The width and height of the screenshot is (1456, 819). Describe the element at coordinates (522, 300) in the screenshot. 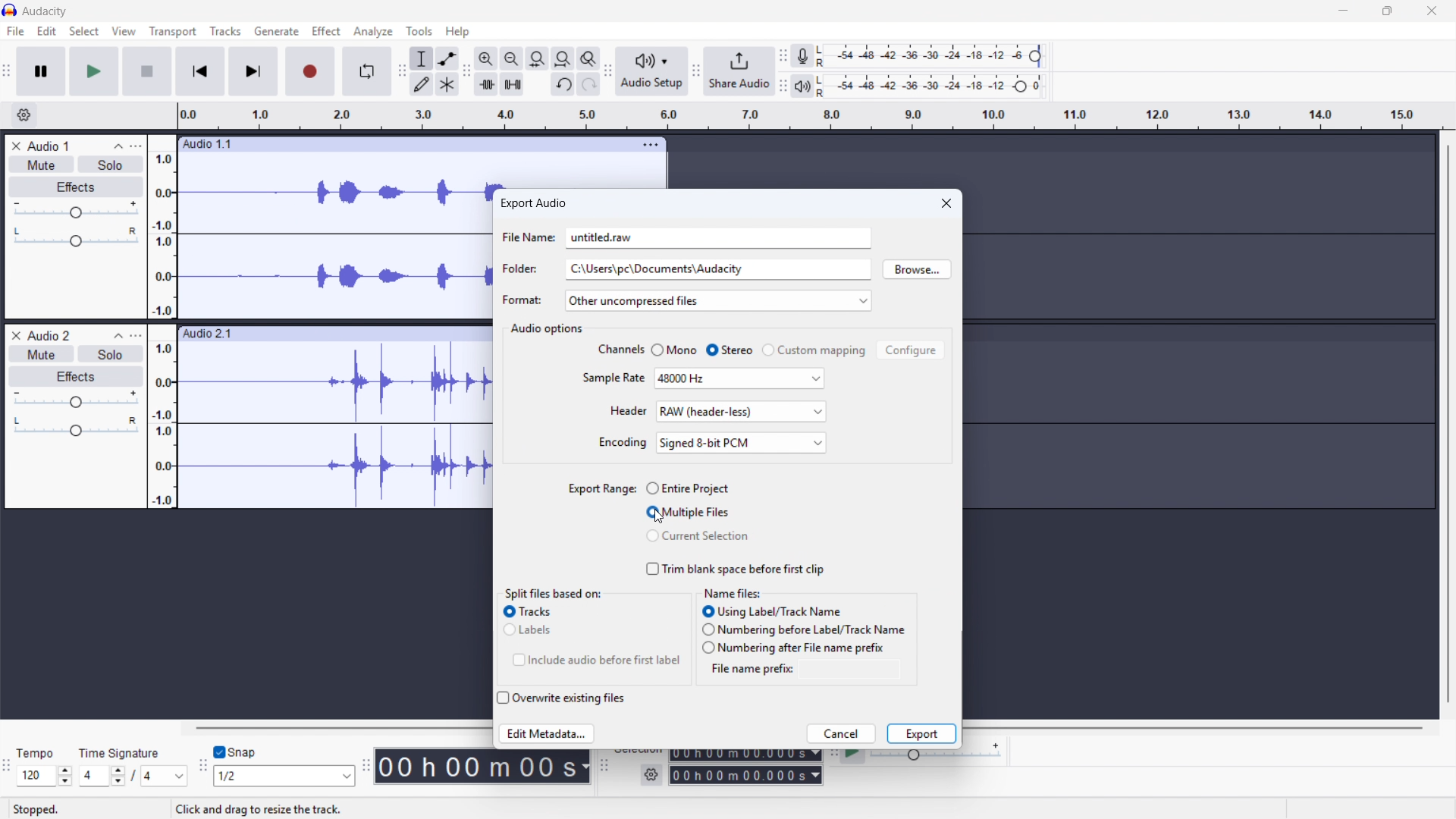

I see `format` at that location.